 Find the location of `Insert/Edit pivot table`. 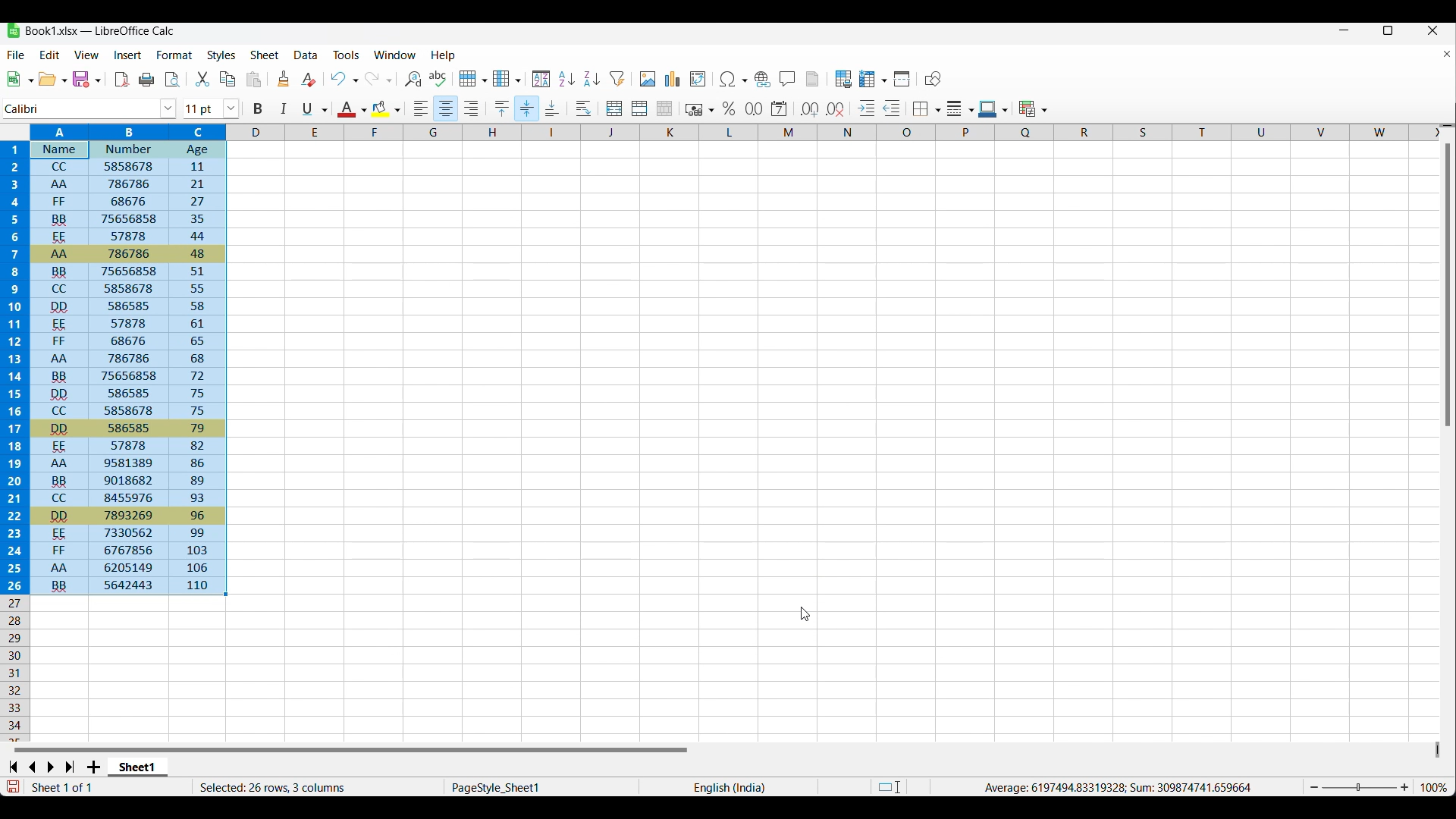

Insert/Edit pivot table is located at coordinates (698, 79).